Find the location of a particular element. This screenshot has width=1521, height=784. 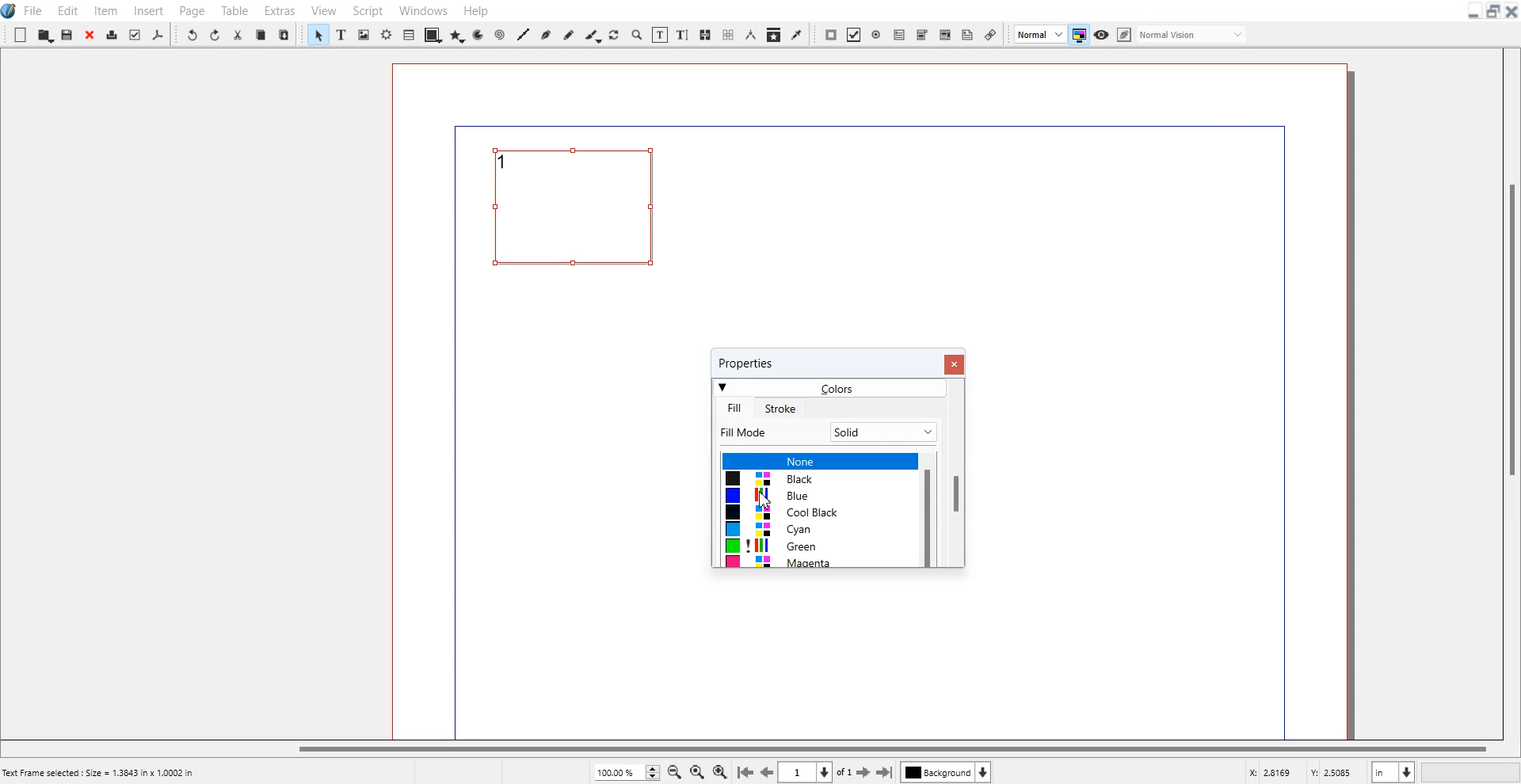

Shape is located at coordinates (433, 34).